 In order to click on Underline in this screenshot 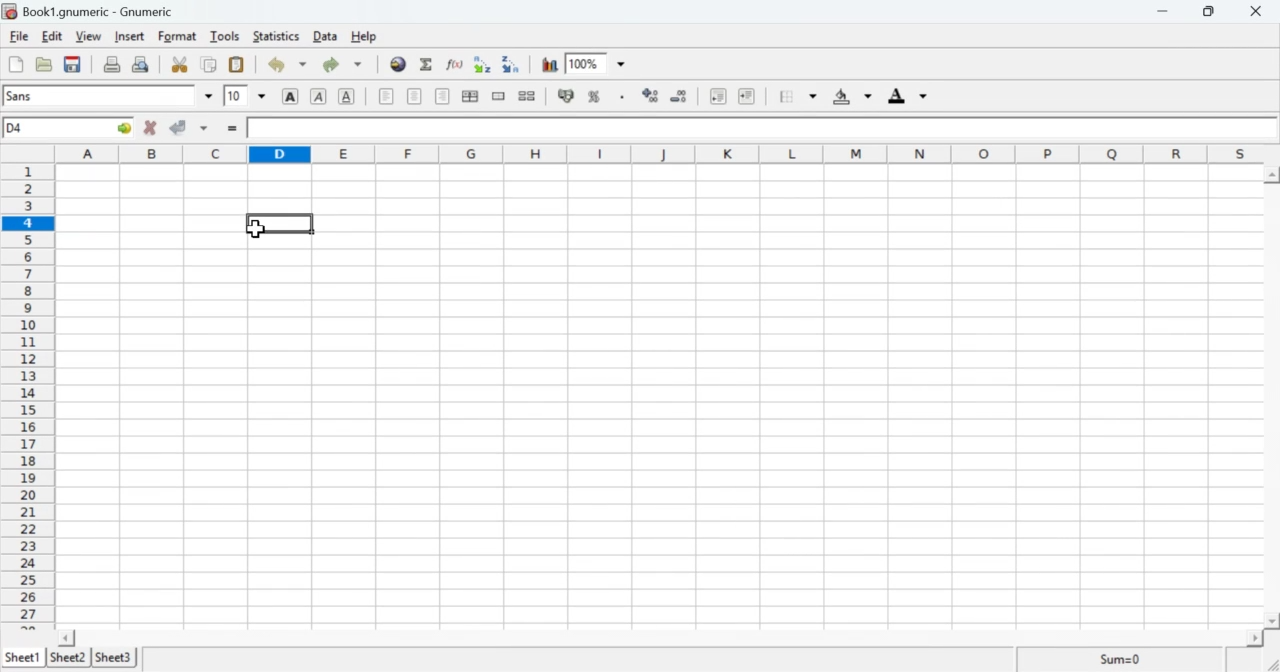, I will do `click(348, 97)`.